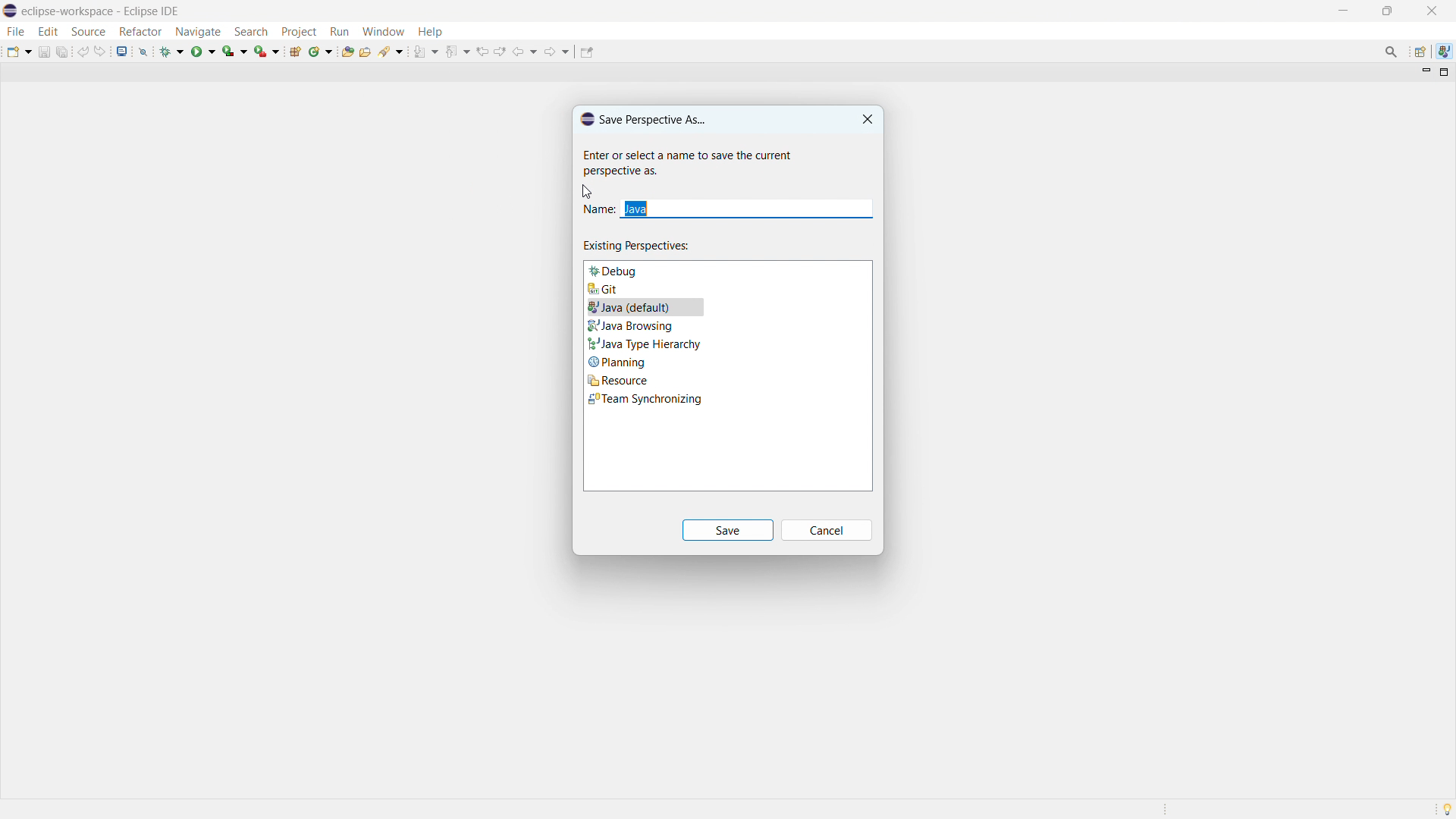 The image size is (1456, 819). Describe the element at coordinates (300, 31) in the screenshot. I see `project` at that location.